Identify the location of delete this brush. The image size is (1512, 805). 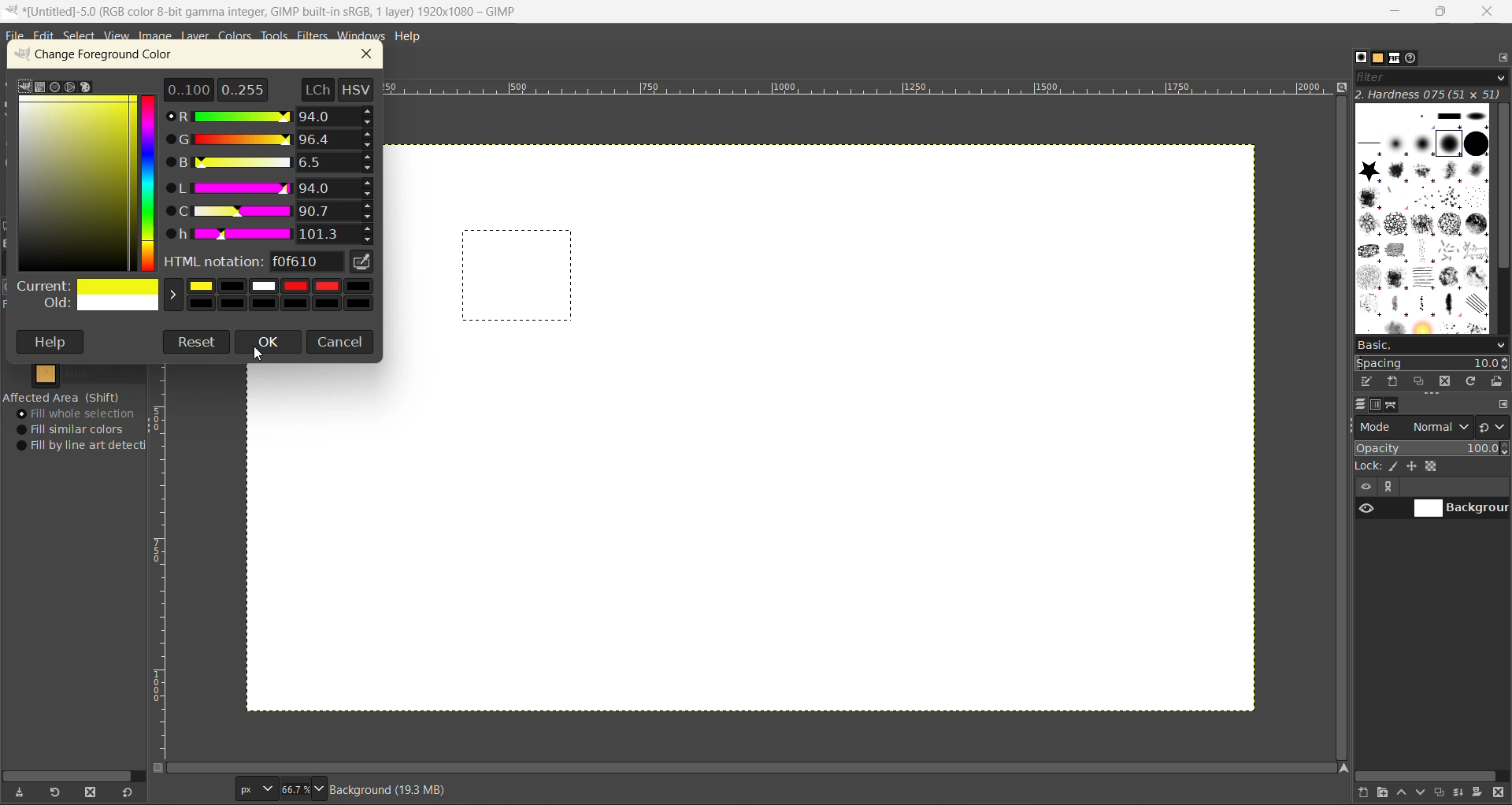
(1444, 381).